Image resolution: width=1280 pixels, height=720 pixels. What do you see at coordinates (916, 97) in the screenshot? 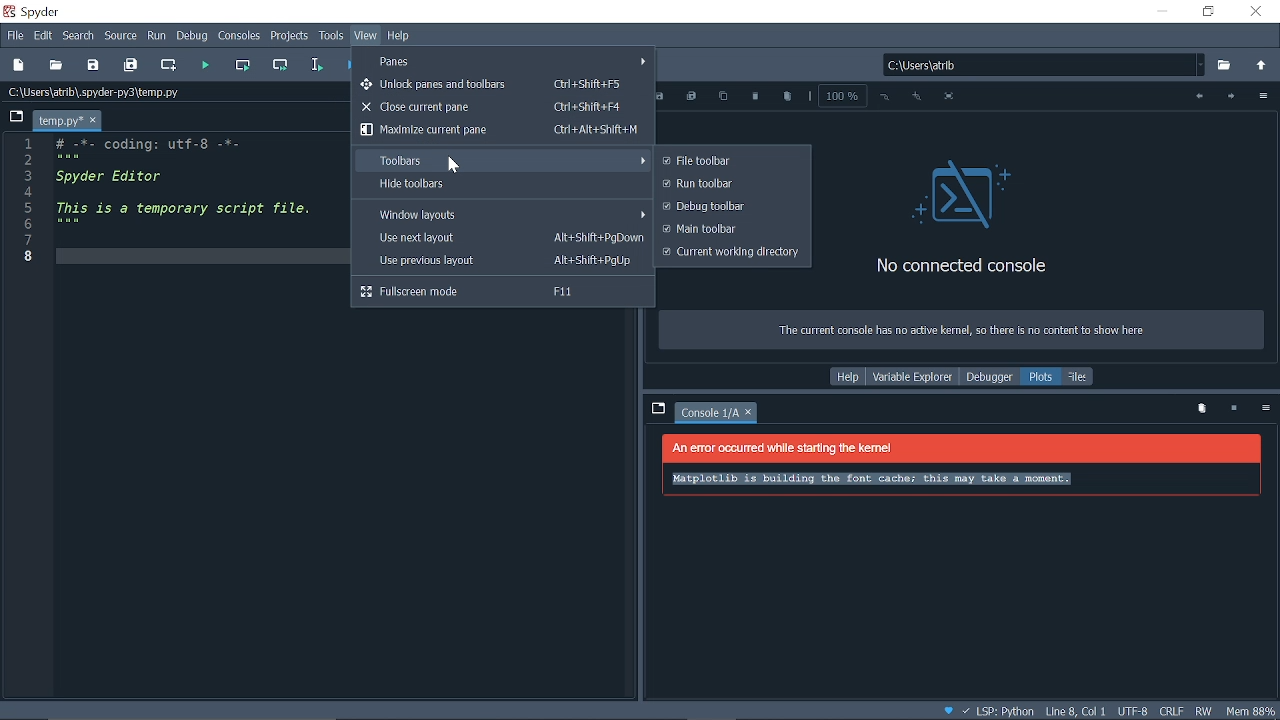
I see `Zoom in` at bounding box center [916, 97].